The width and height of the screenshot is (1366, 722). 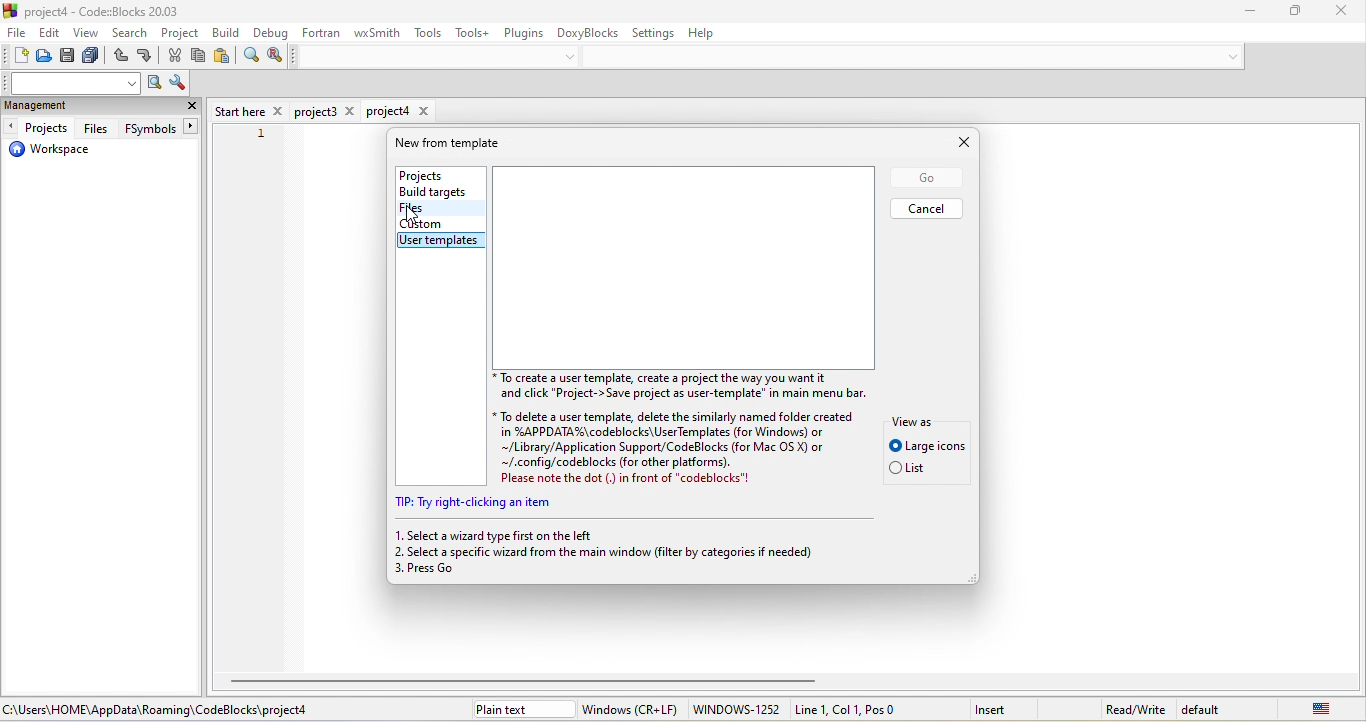 I want to click on window, so click(x=631, y=709).